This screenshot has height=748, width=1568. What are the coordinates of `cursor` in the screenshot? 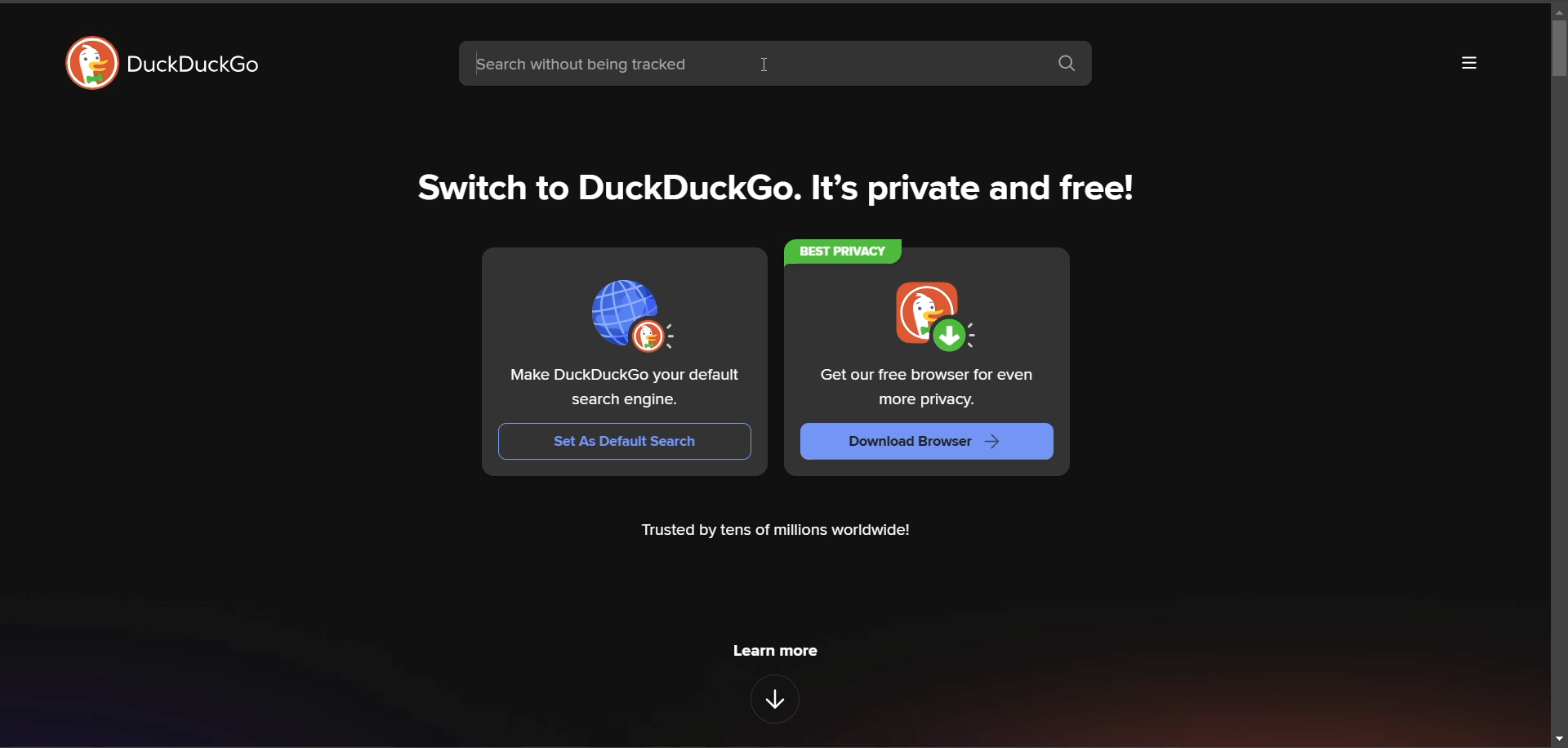 It's located at (769, 65).